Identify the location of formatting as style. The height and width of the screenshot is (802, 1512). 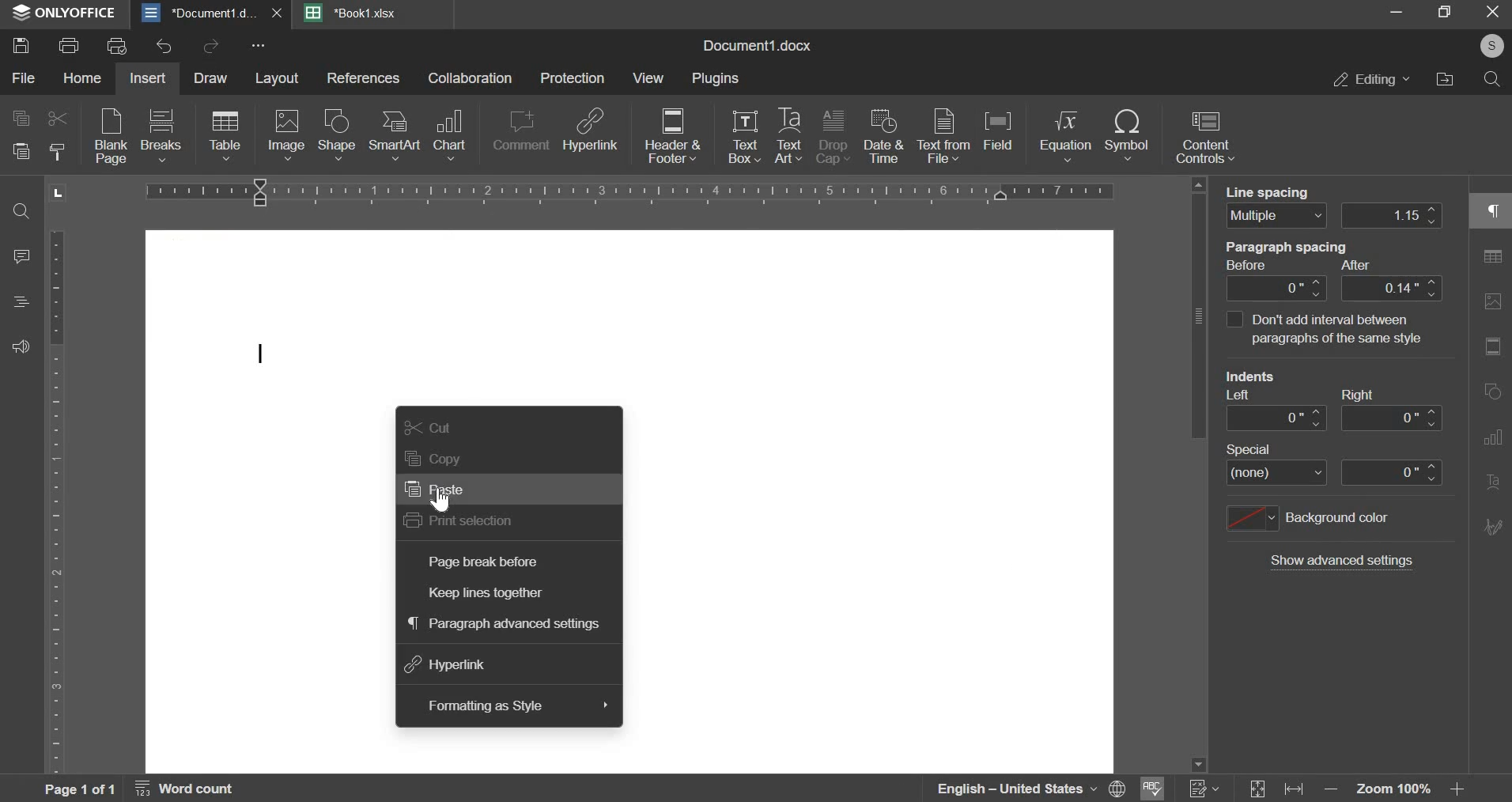
(484, 706).